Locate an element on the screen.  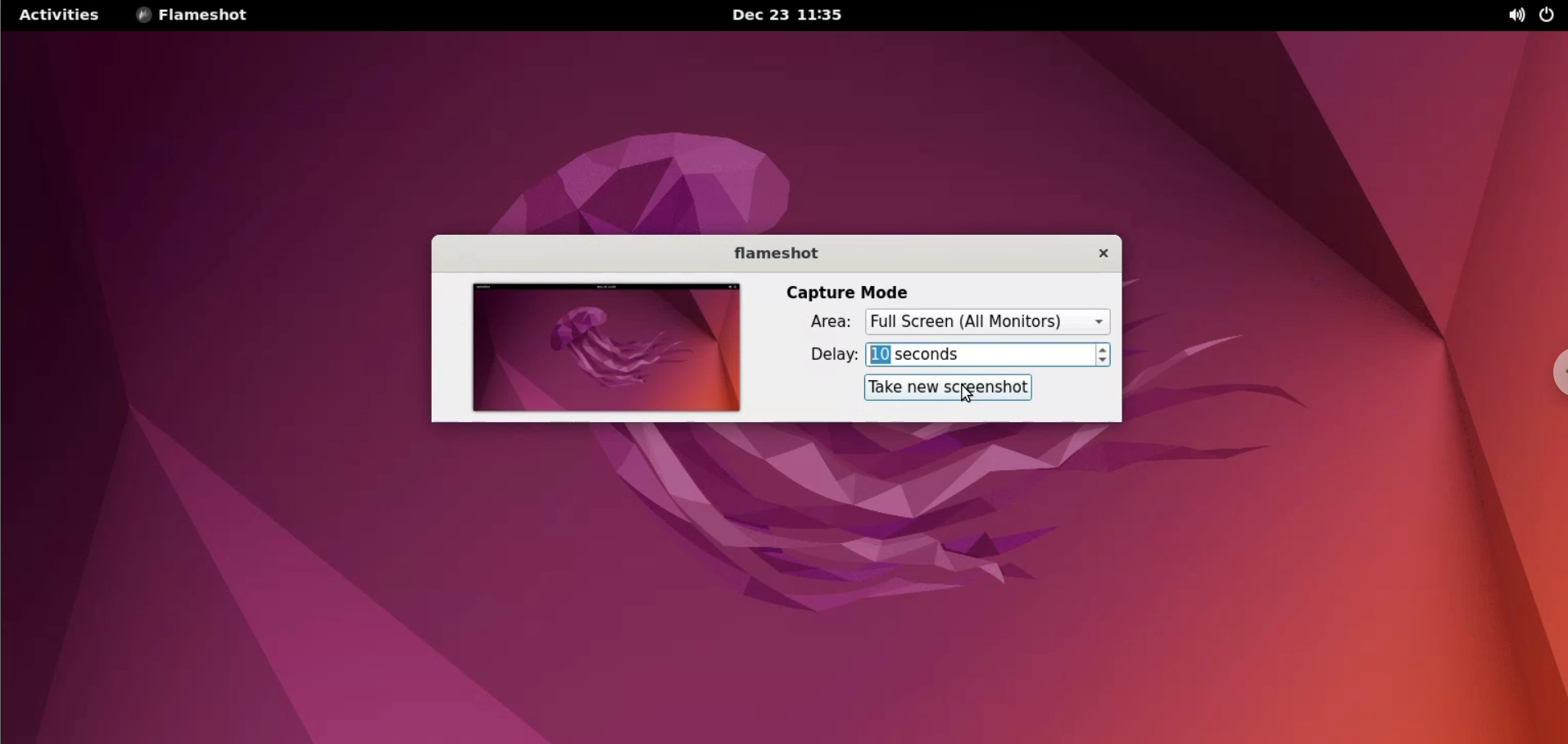
close is located at coordinates (1098, 255).